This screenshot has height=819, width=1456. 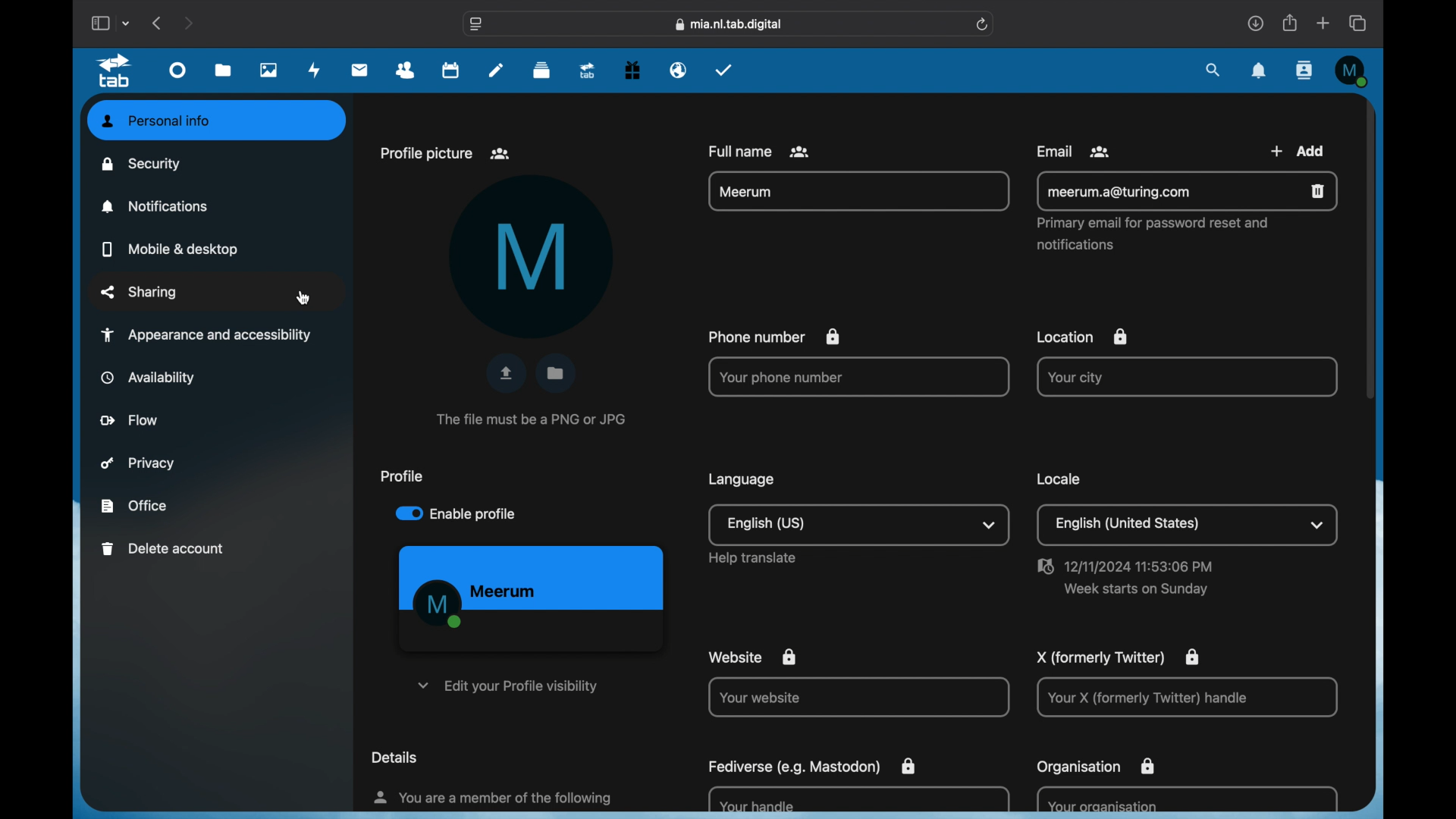 What do you see at coordinates (317, 71) in the screenshot?
I see `activity` at bounding box center [317, 71].